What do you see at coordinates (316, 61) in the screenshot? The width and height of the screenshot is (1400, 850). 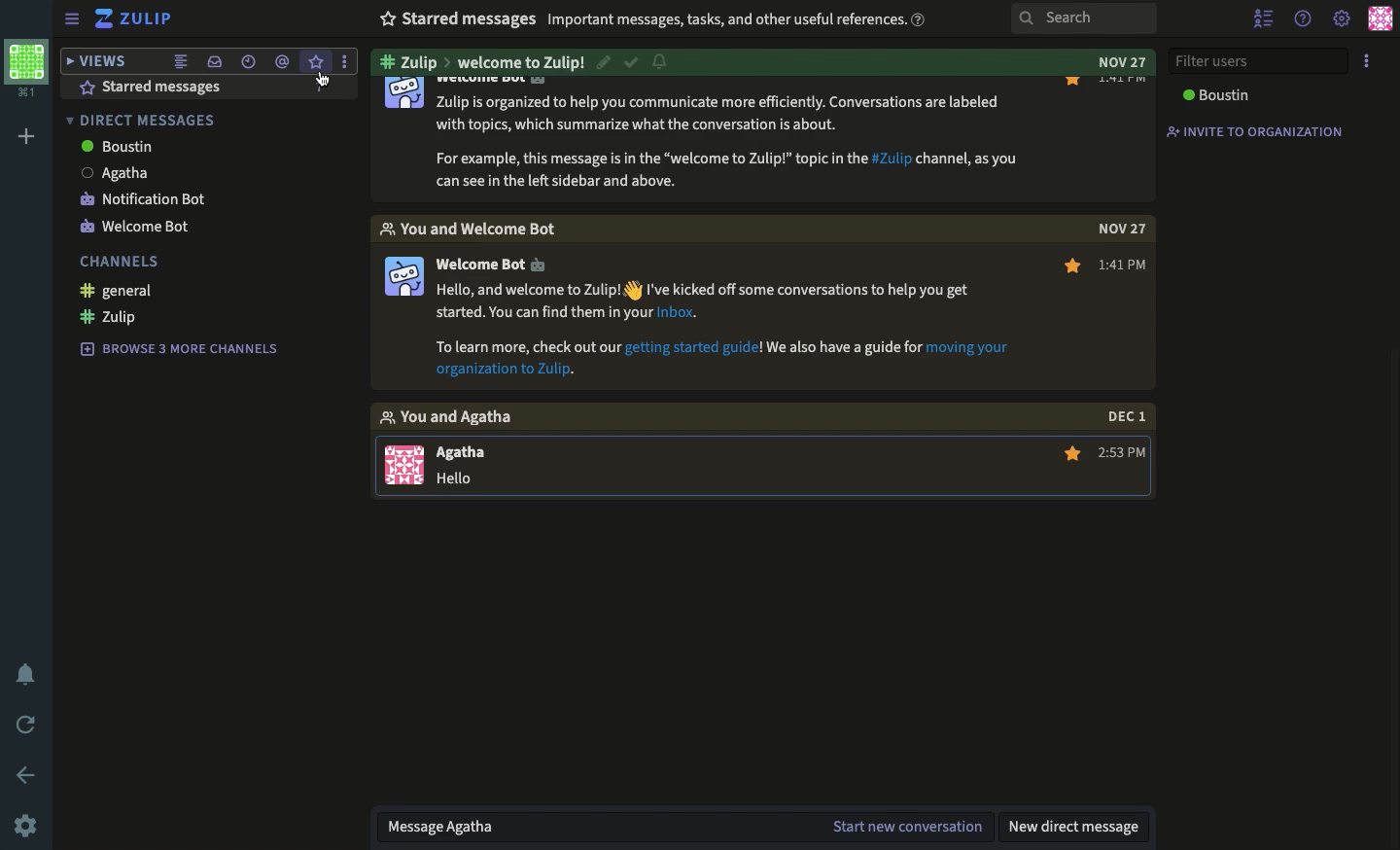 I see `star` at bounding box center [316, 61].